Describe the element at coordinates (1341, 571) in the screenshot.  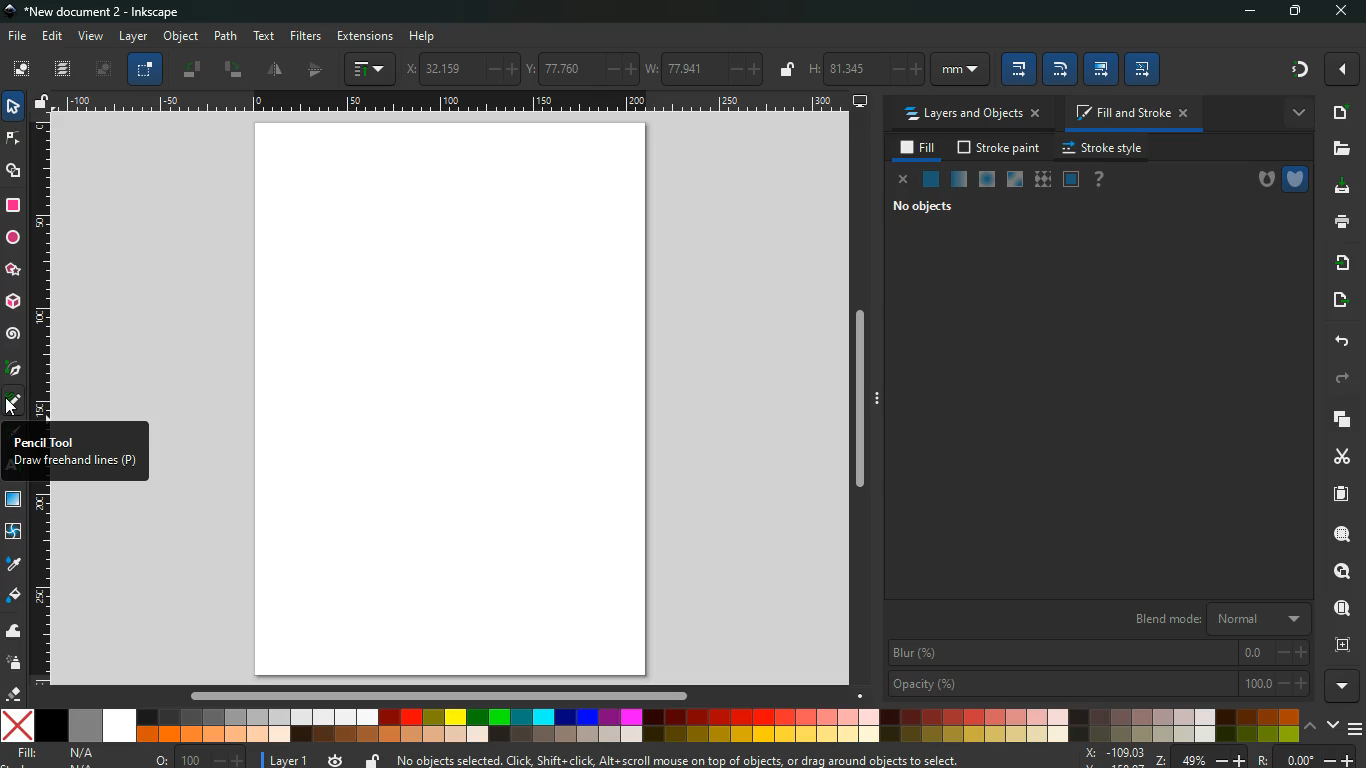
I see `look` at that location.